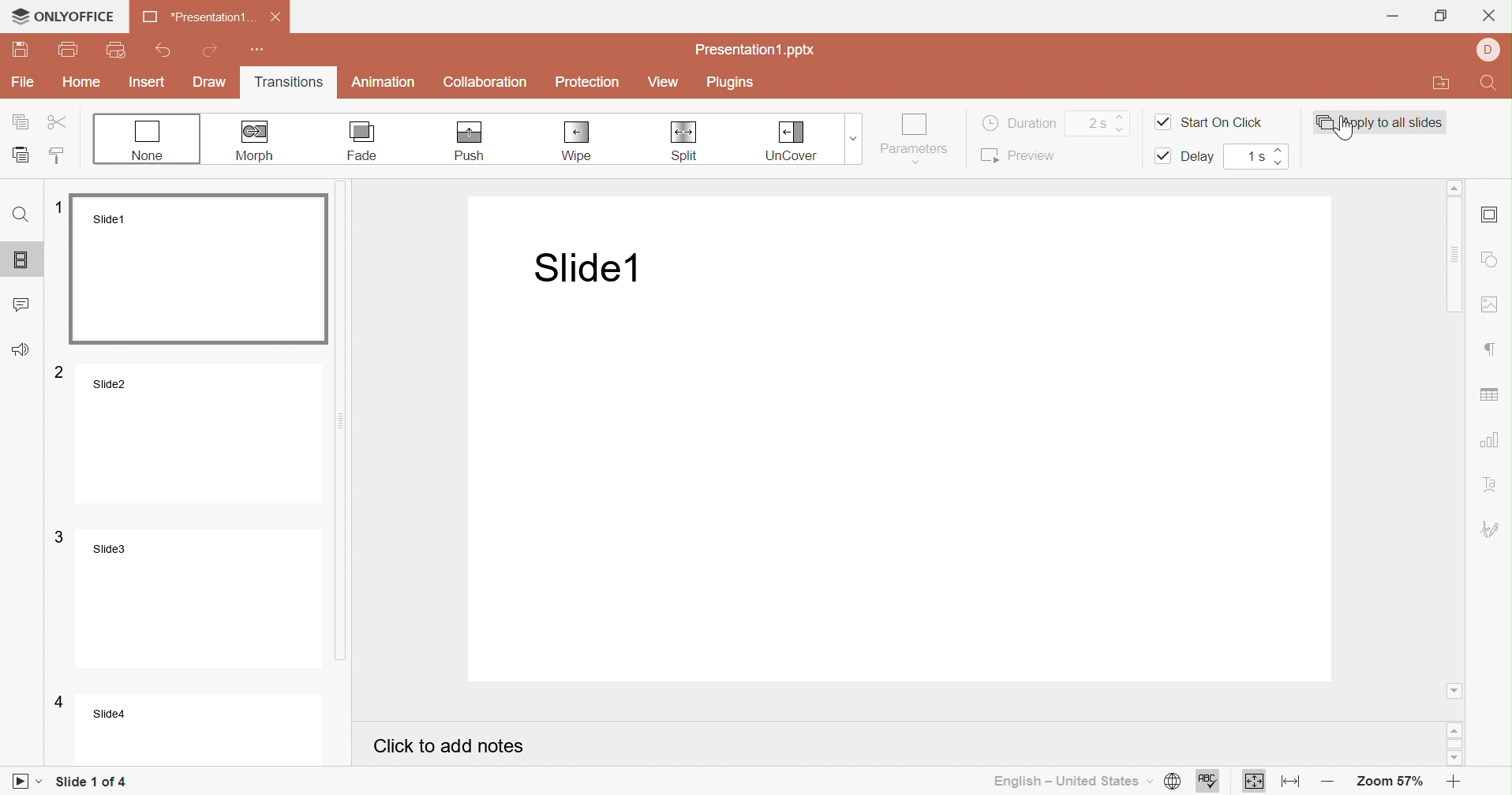 Image resolution: width=1512 pixels, height=795 pixels. What do you see at coordinates (258, 49) in the screenshot?
I see `Customize Quick Access Toolbar` at bounding box center [258, 49].